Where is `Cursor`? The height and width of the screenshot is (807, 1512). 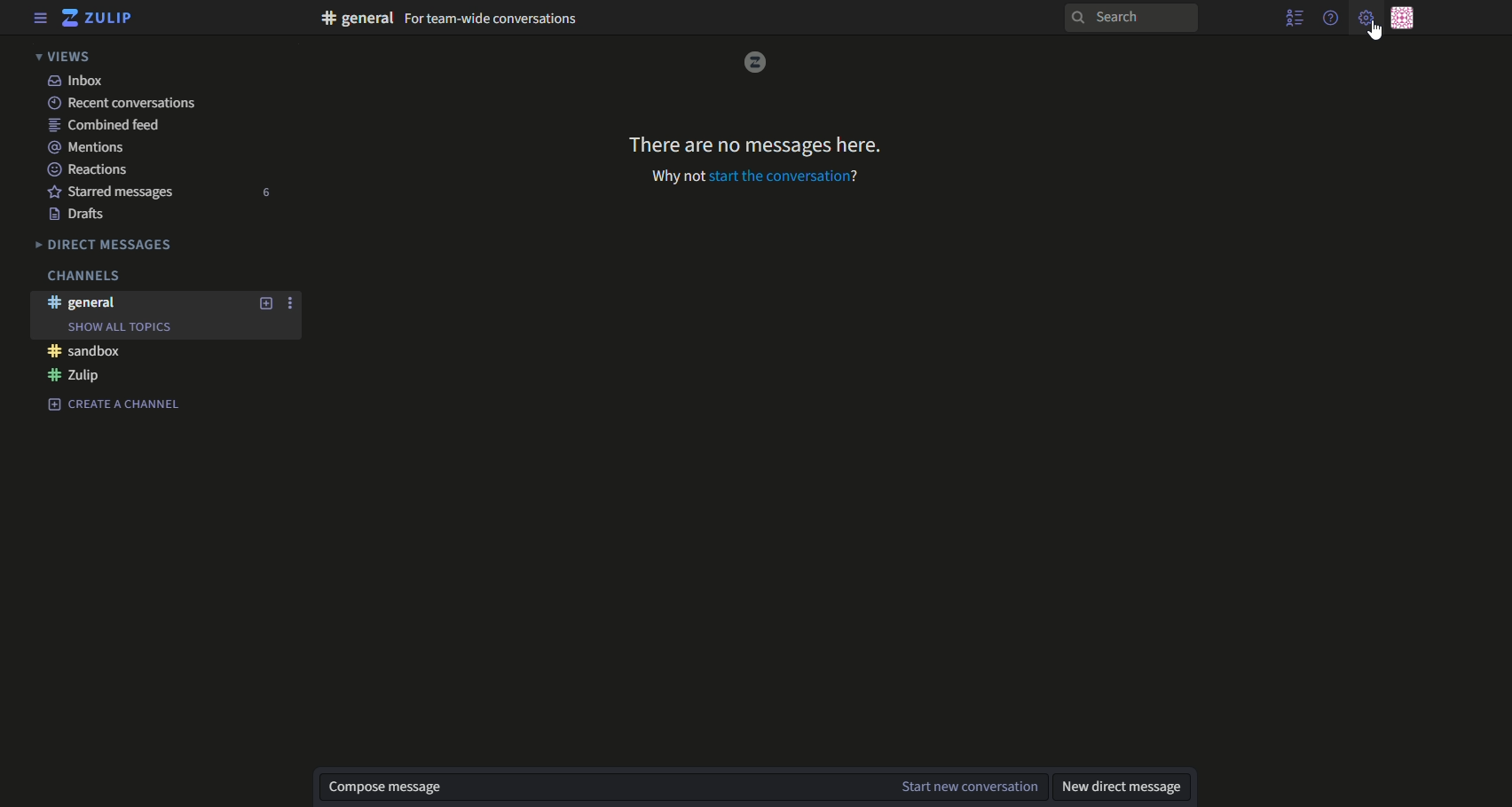 Cursor is located at coordinates (1374, 33).